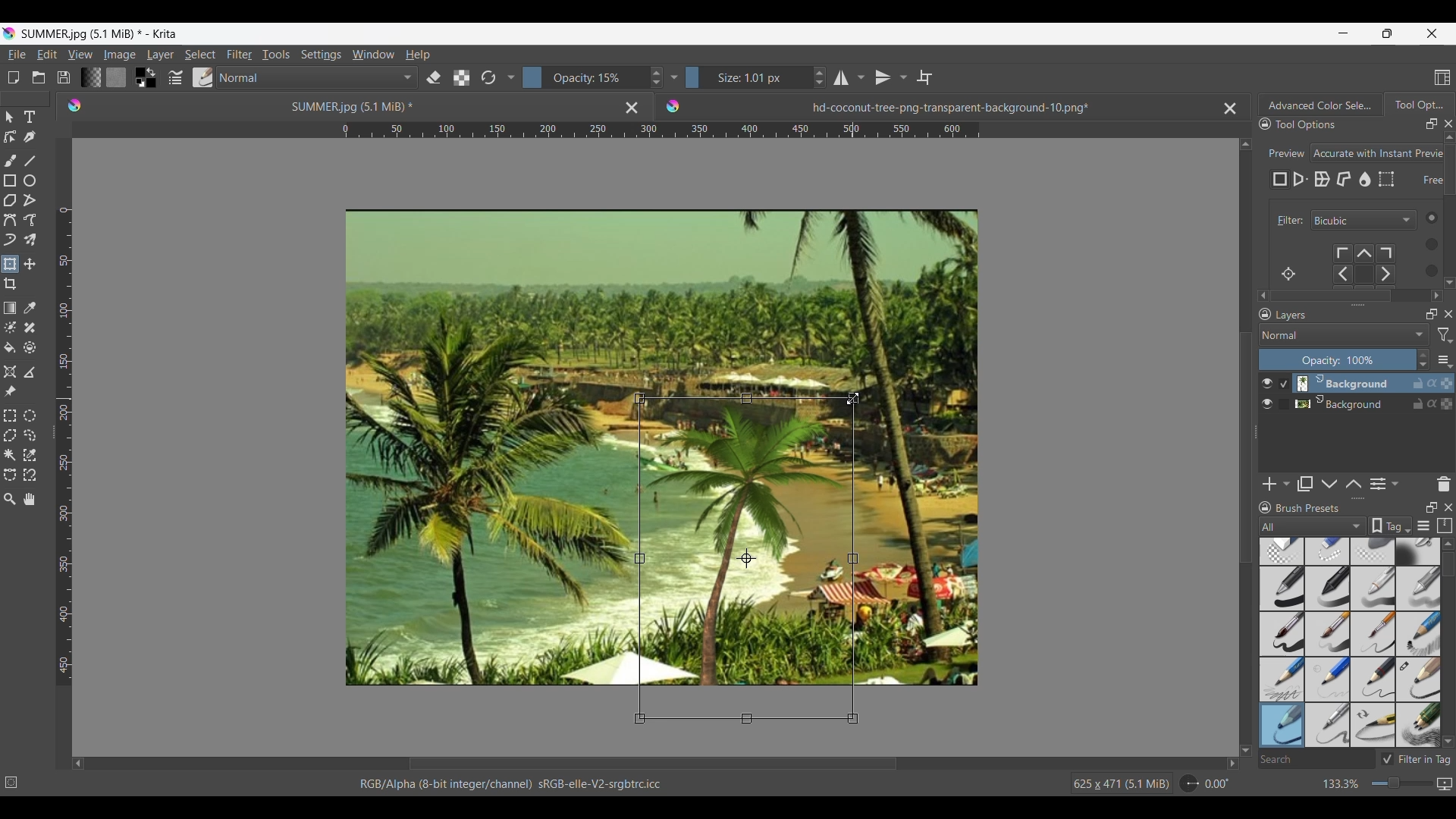 The height and width of the screenshot is (819, 1456). I want to click on Polyline tool, so click(30, 199).